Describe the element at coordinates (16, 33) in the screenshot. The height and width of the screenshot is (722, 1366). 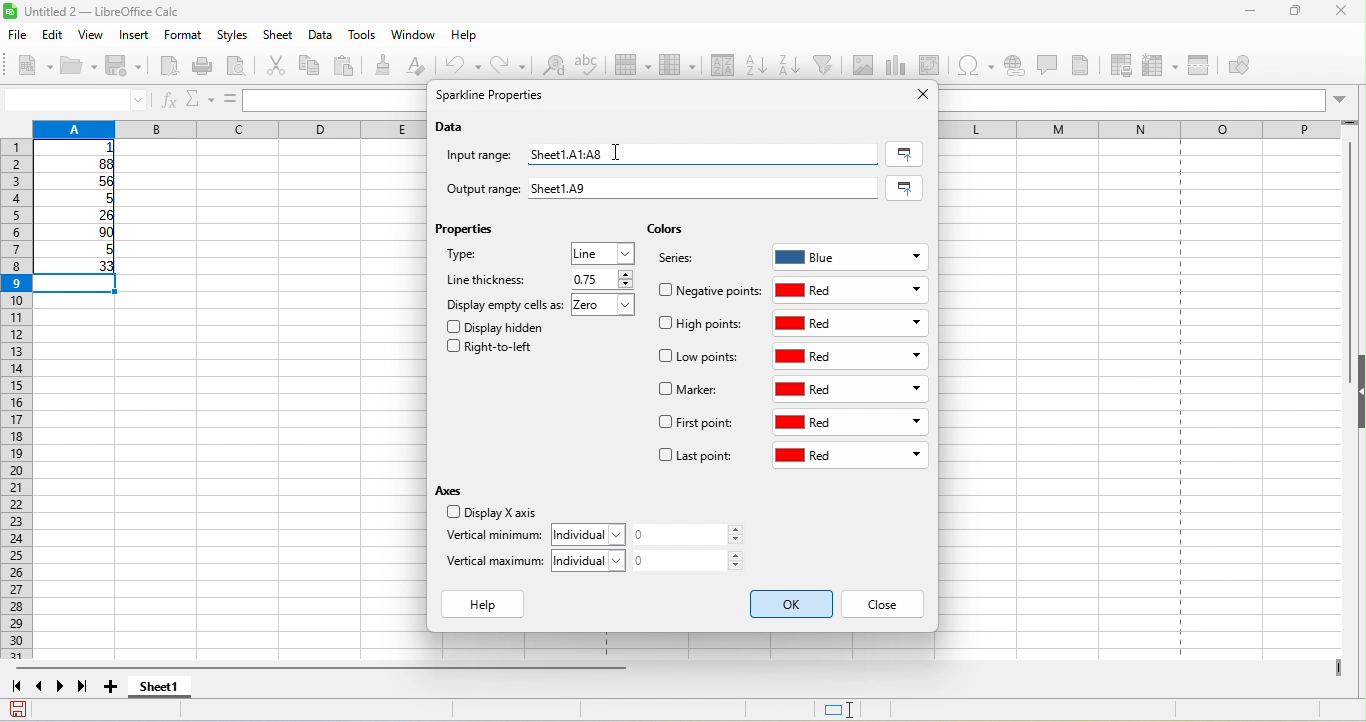
I see `file` at that location.